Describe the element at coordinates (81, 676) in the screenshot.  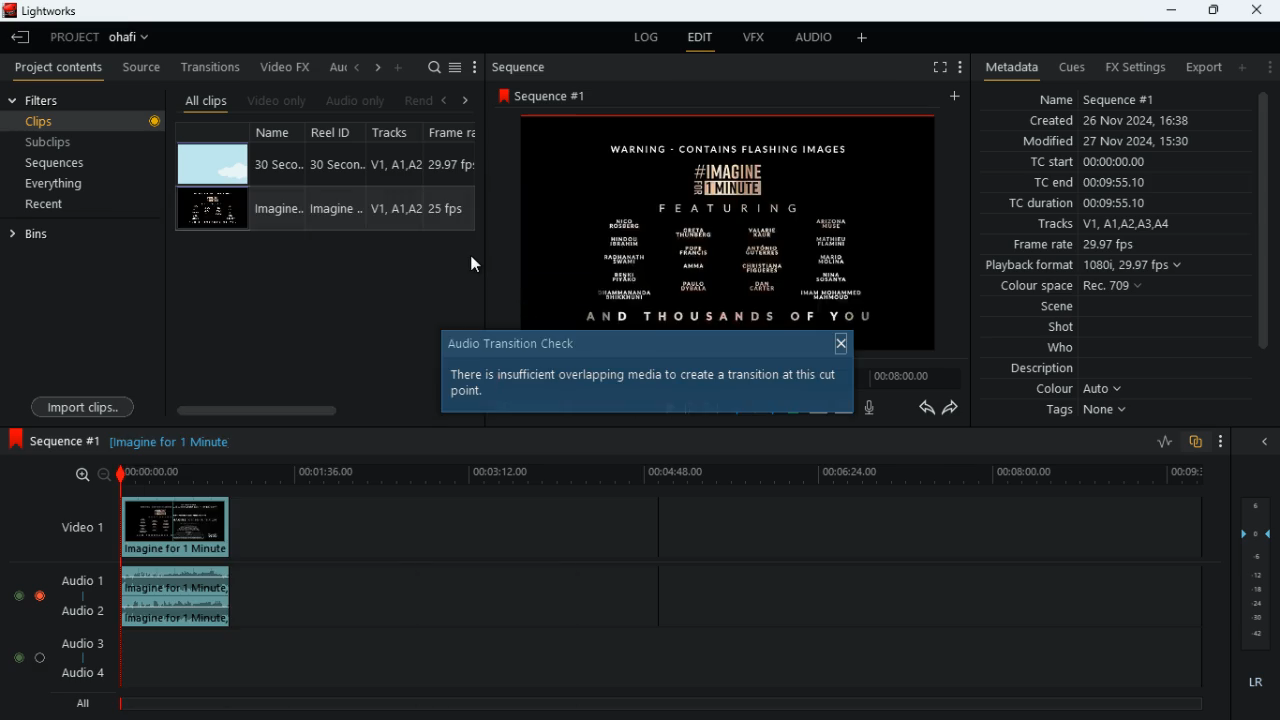
I see `audio 4` at that location.